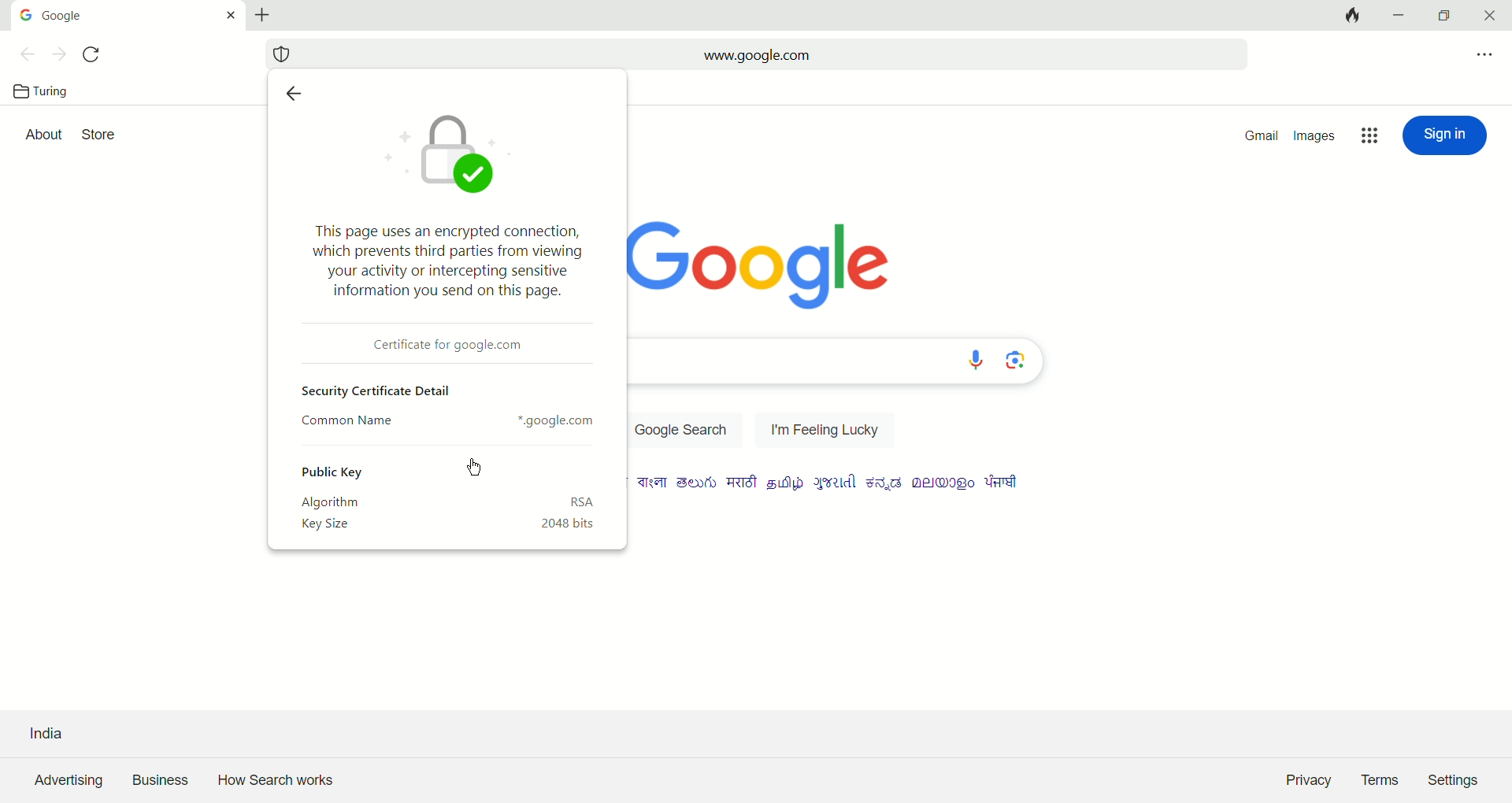 This screenshot has width=1512, height=803. What do you see at coordinates (1263, 135) in the screenshot?
I see `gmail` at bounding box center [1263, 135].